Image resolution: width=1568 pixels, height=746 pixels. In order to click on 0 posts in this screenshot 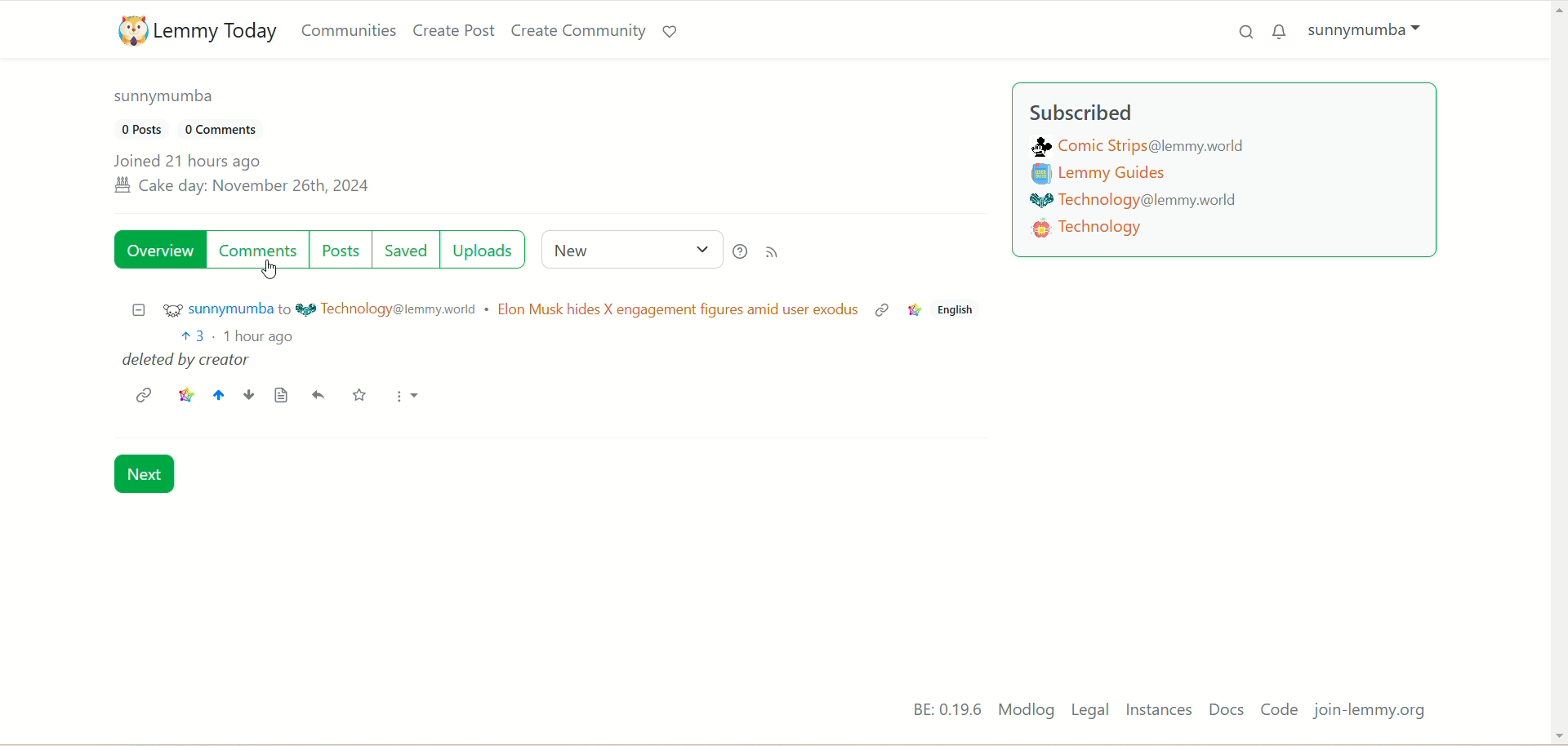, I will do `click(141, 128)`.